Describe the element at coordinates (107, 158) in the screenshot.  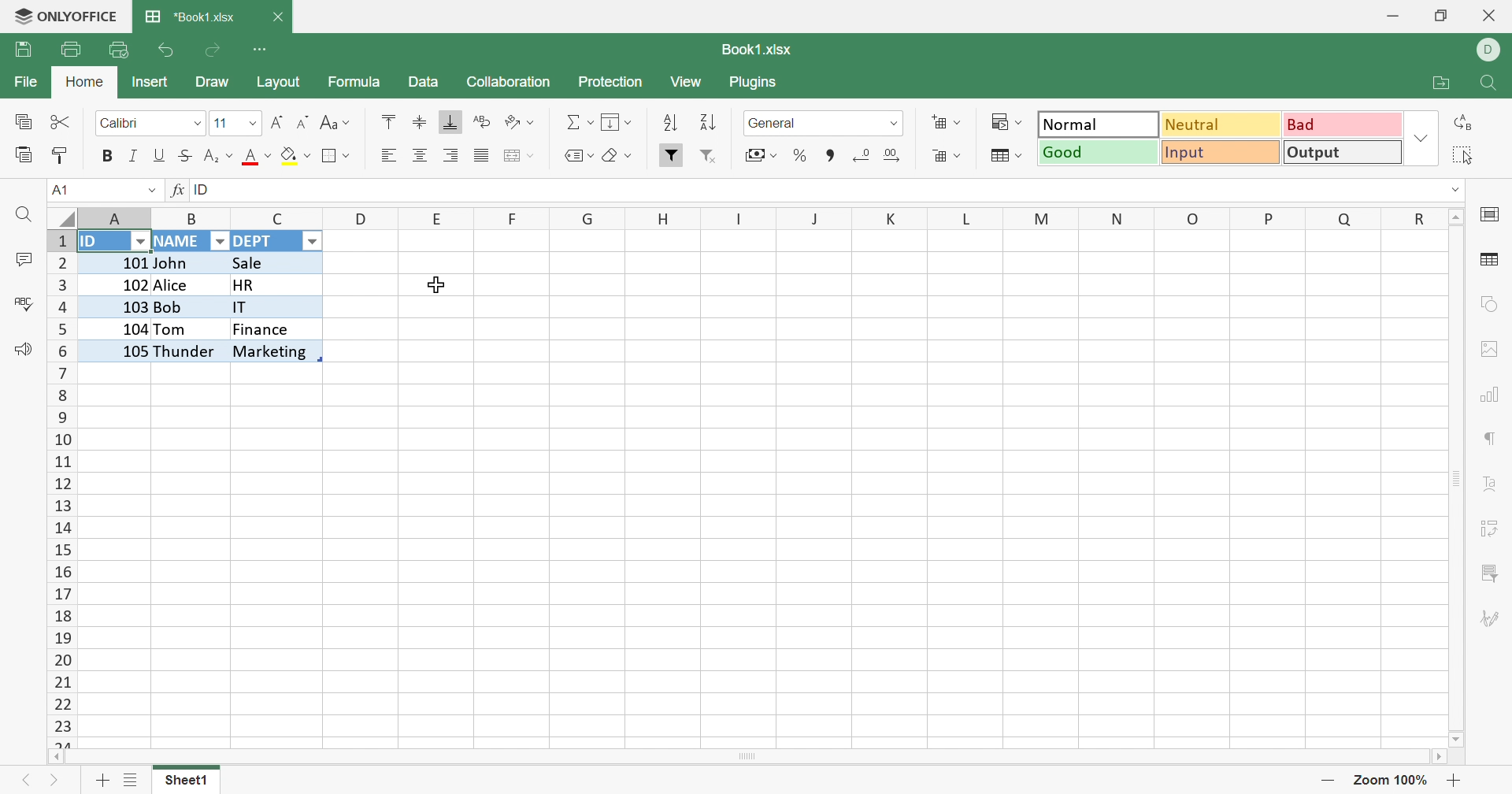
I see `Bold` at that location.